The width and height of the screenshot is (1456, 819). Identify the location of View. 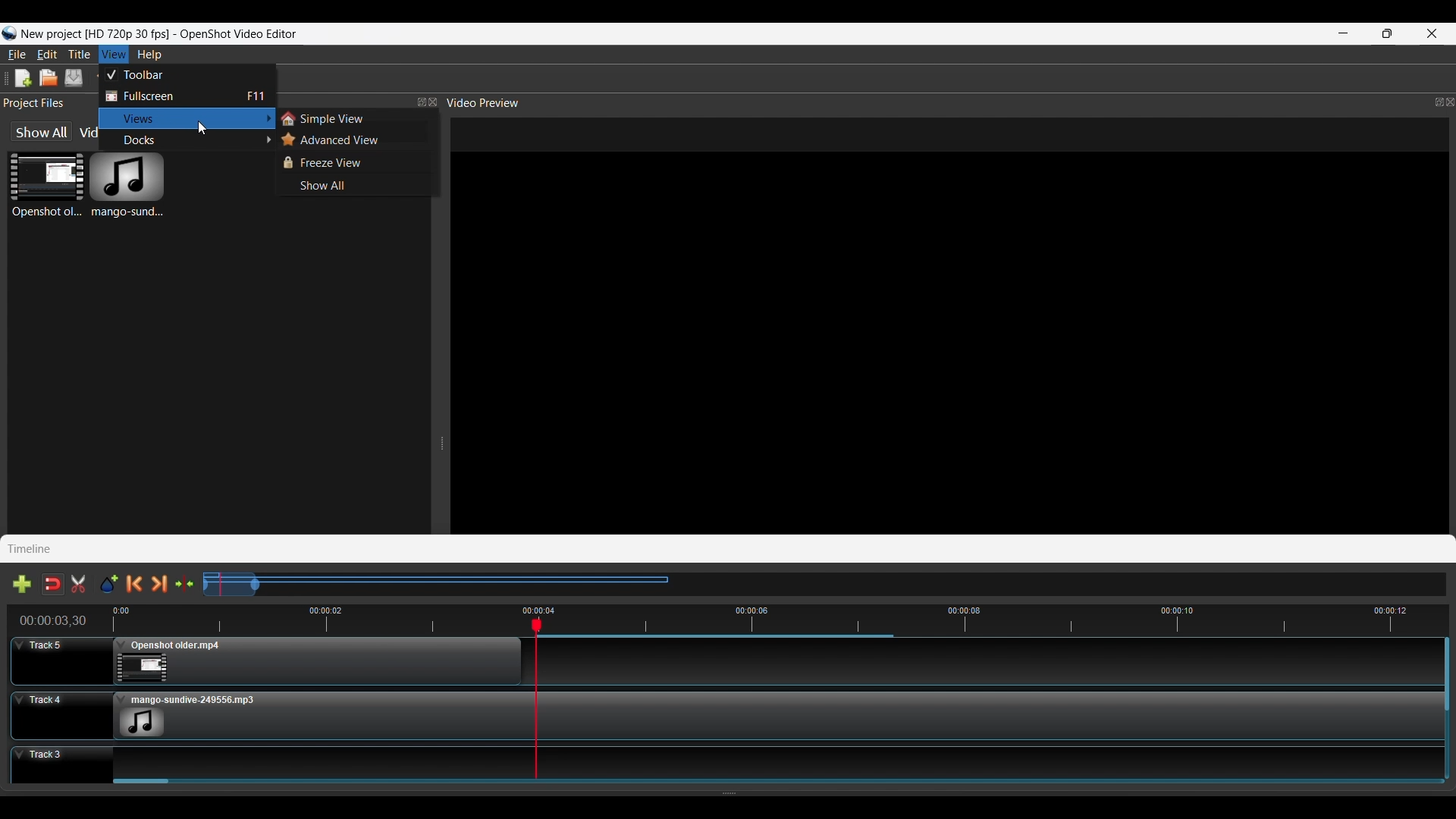
(114, 55).